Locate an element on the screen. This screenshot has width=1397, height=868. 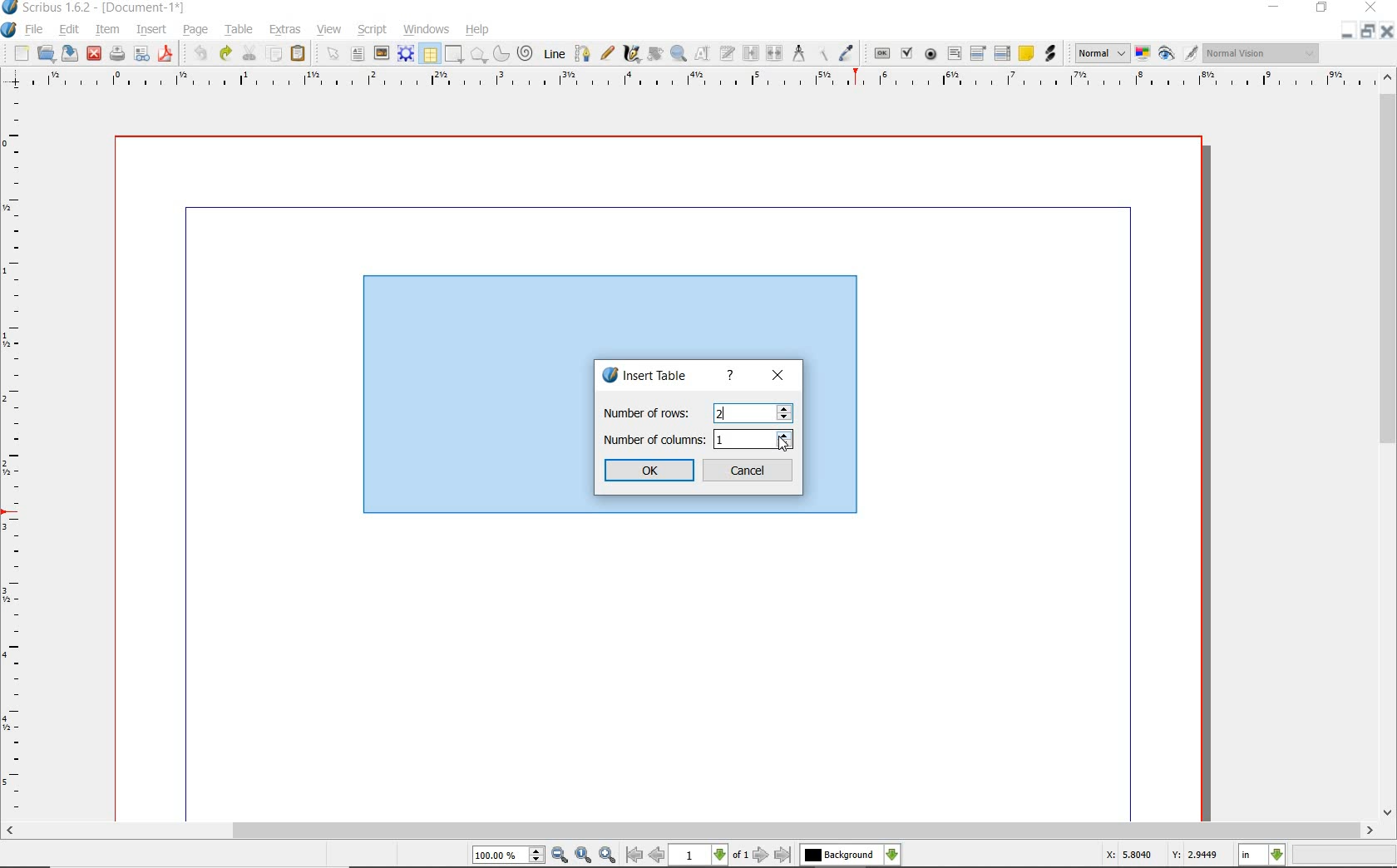
pdf text field is located at coordinates (955, 53).